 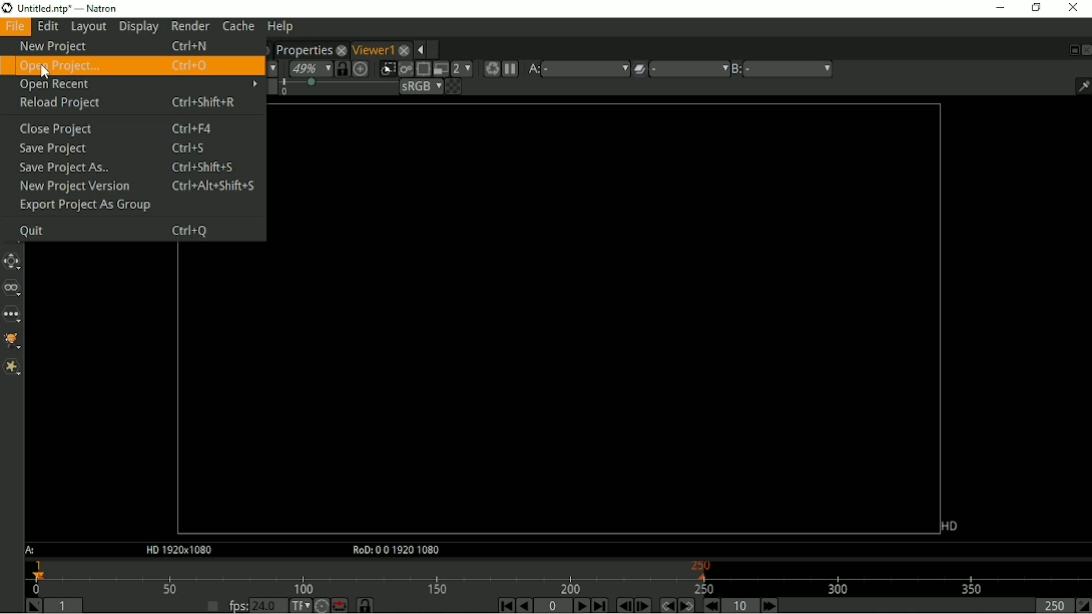 I want to click on Next keyframe, so click(x=684, y=605).